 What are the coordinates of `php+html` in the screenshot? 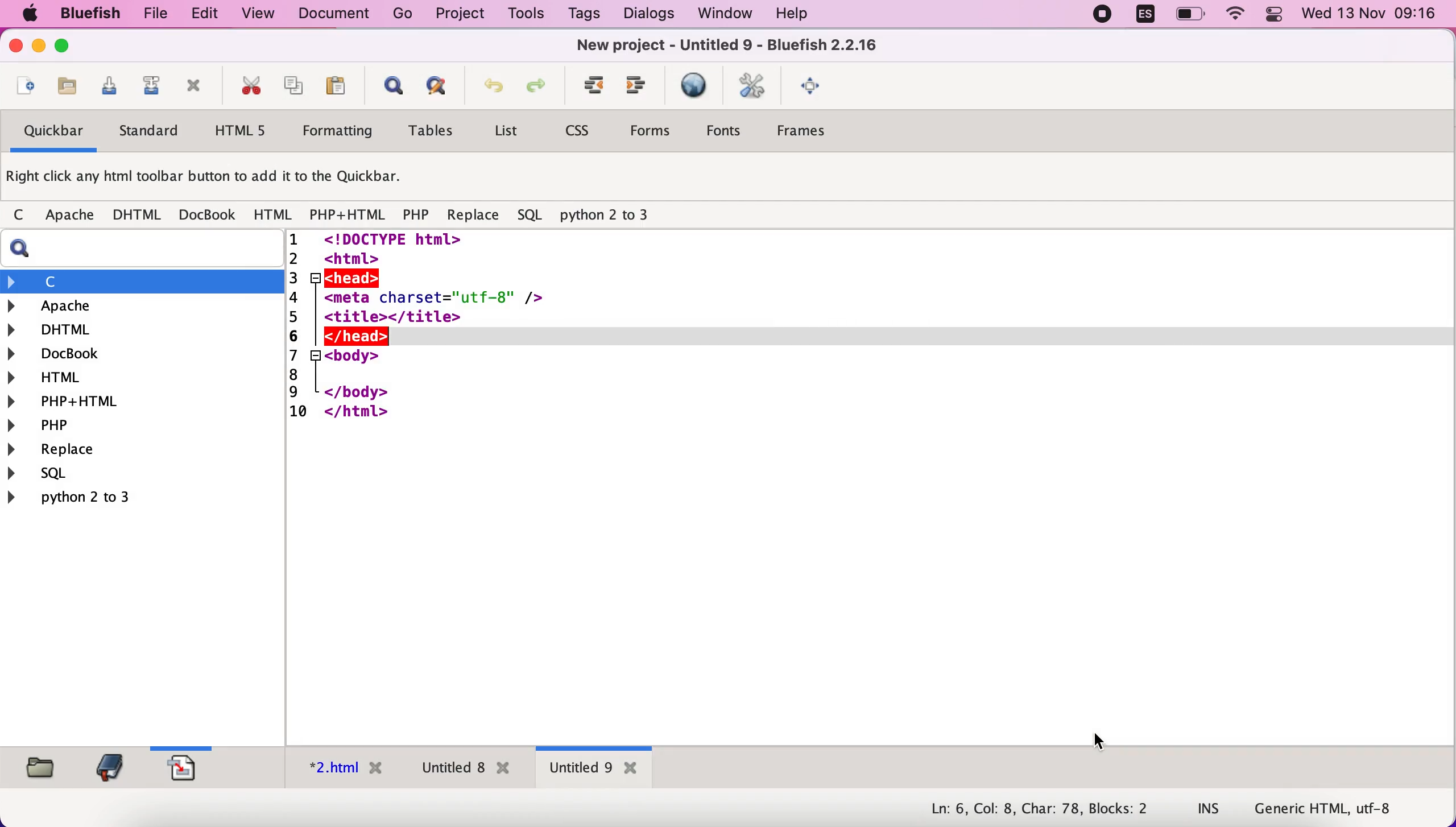 It's located at (141, 400).